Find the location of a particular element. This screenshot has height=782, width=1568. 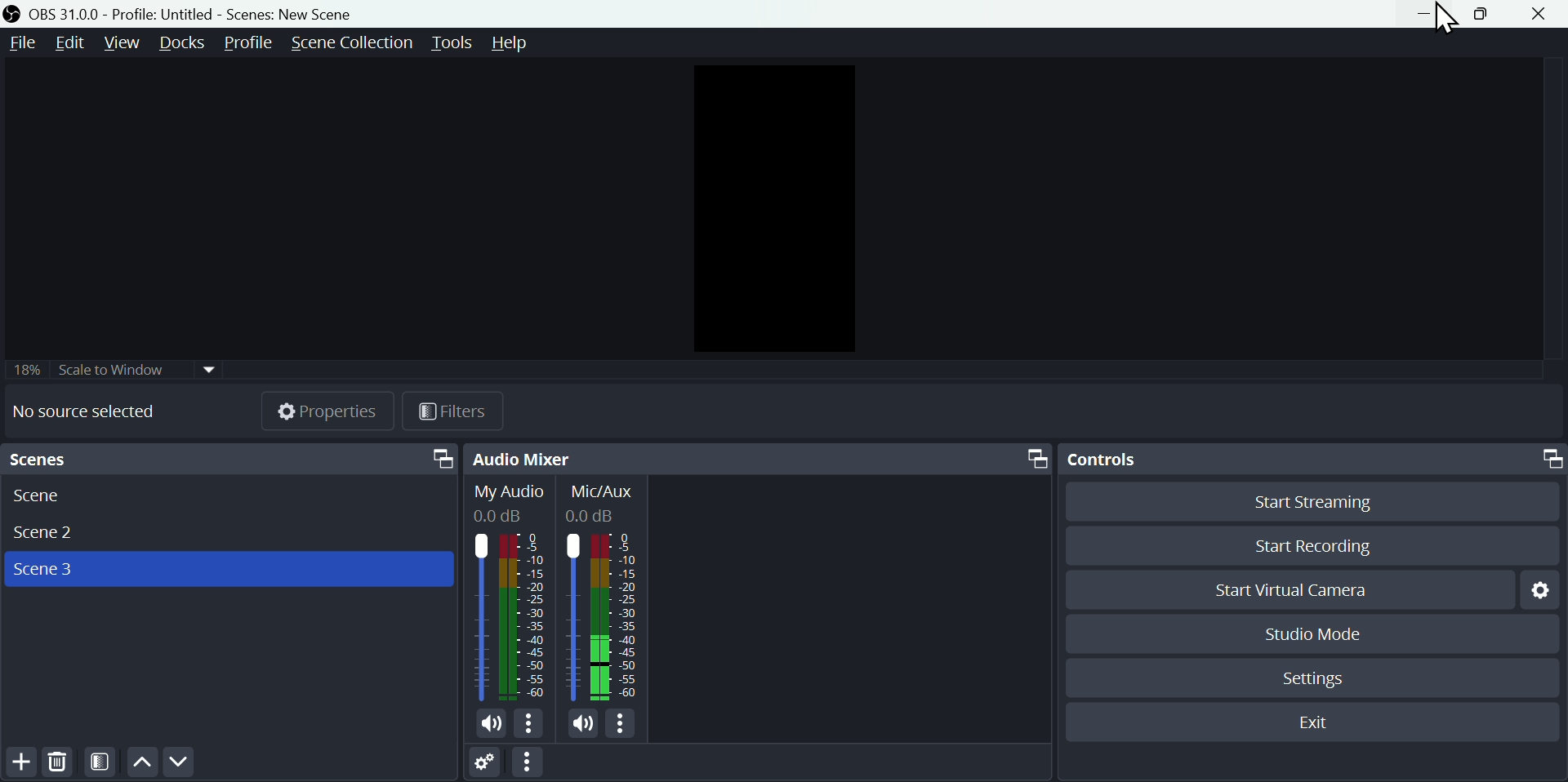

OBS Version is located at coordinates (65, 15).